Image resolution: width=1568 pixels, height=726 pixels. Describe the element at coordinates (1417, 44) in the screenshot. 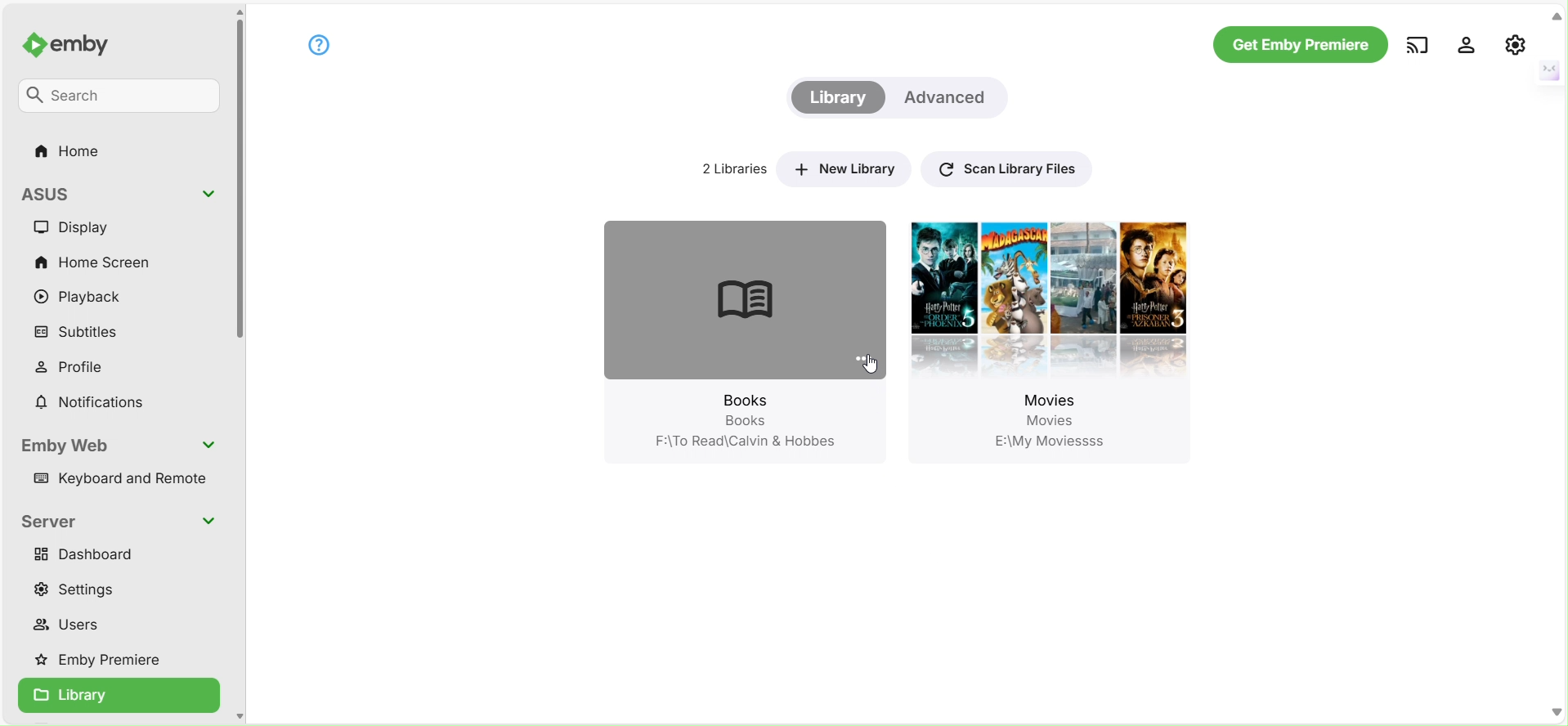

I see `Play on another device` at that location.